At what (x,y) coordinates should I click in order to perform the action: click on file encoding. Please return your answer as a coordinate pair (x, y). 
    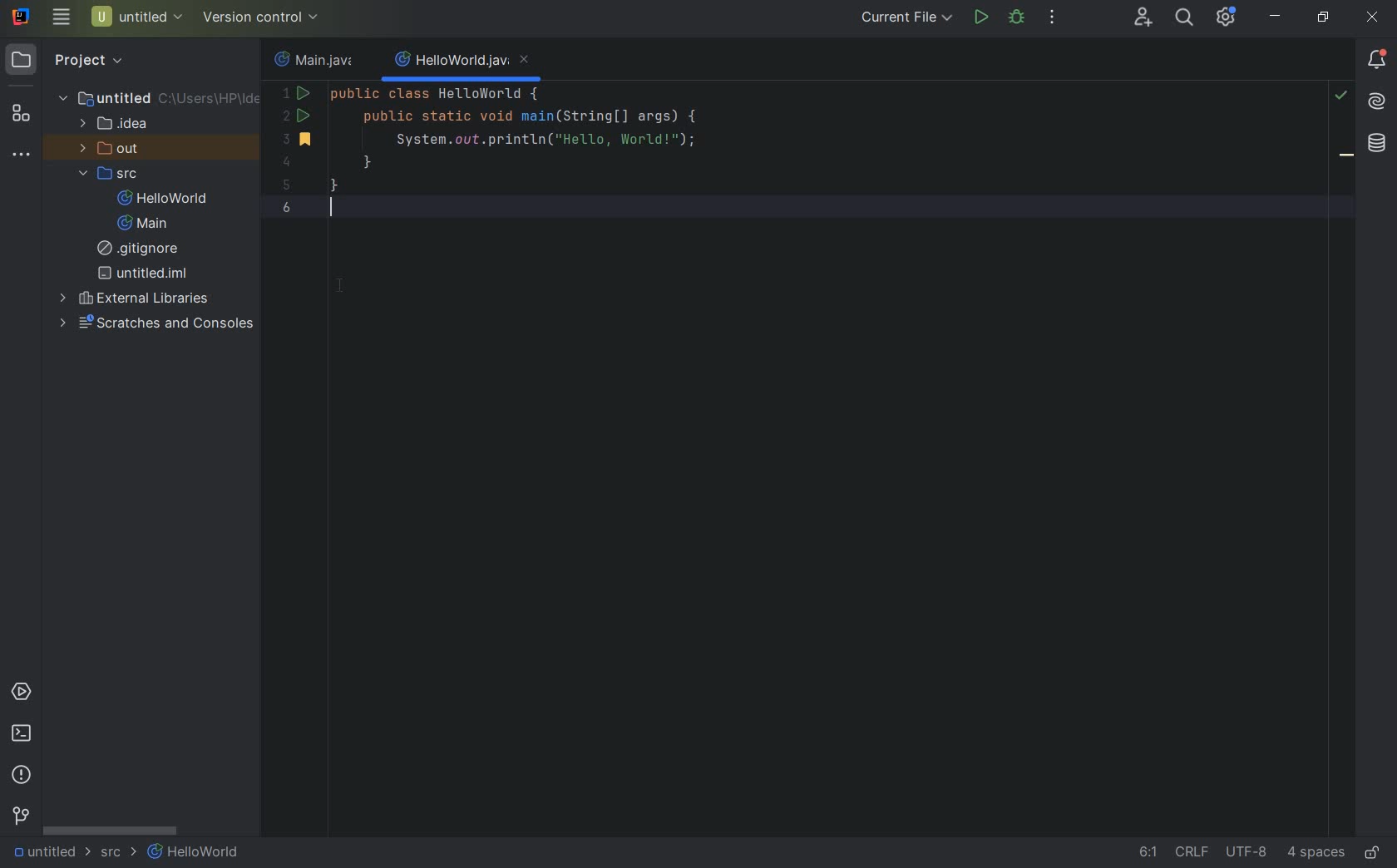
    Looking at the image, I should click on (1247, 854).